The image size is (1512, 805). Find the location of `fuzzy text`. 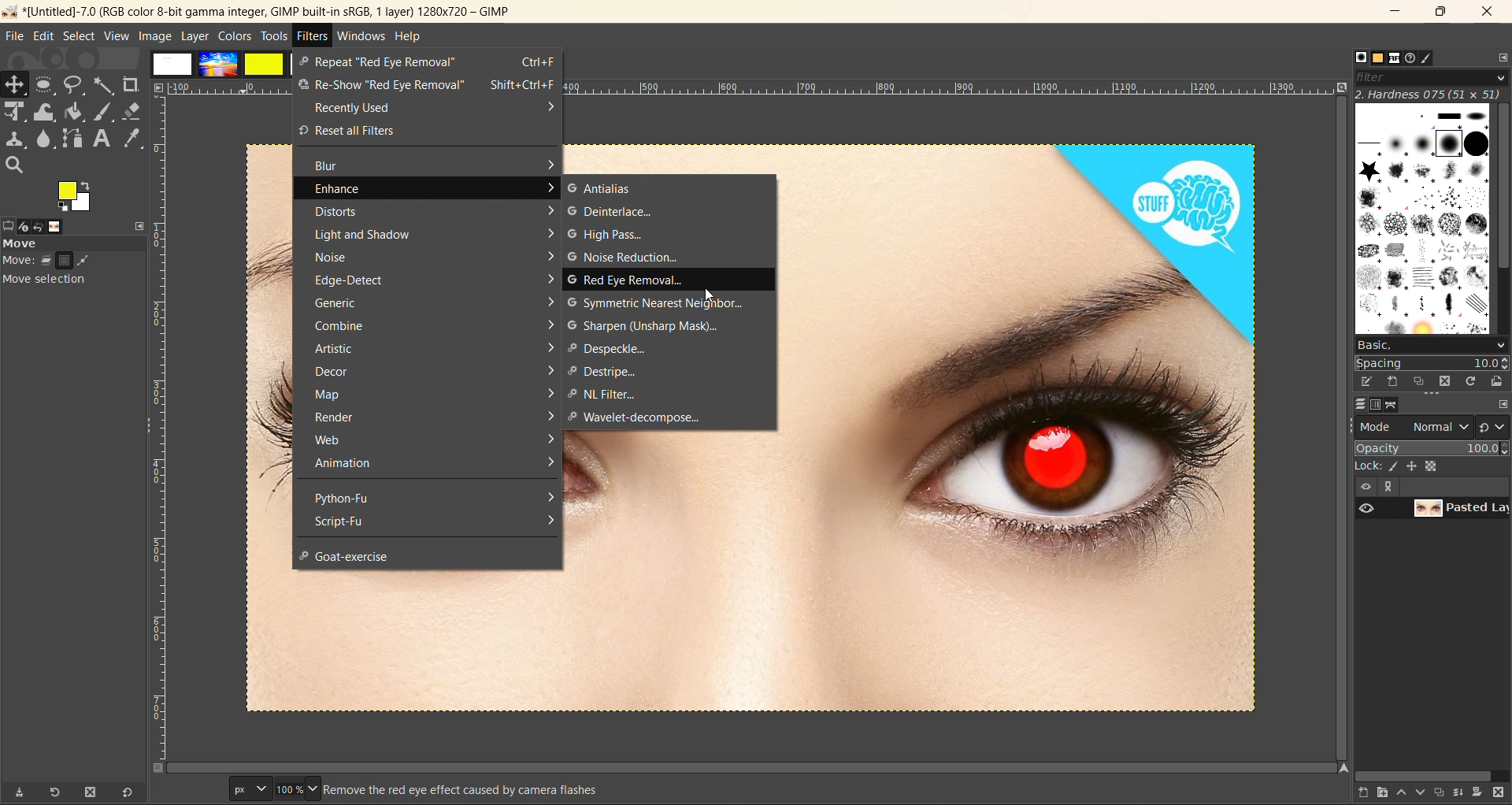

fuzzy text is located at coordinates (105, 86).